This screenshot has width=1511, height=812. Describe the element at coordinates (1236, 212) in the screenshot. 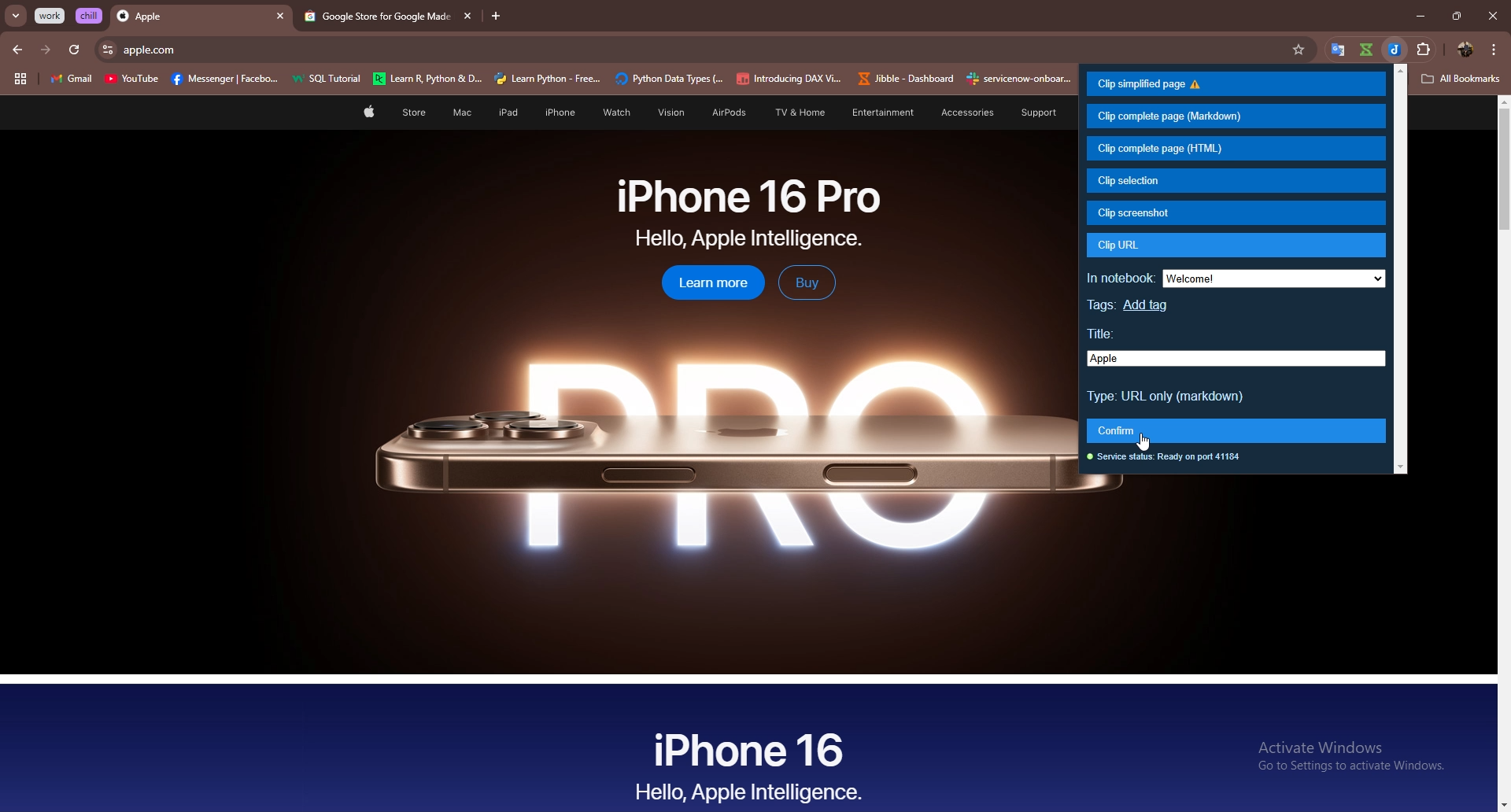

I see `clip screenshot` at that location.